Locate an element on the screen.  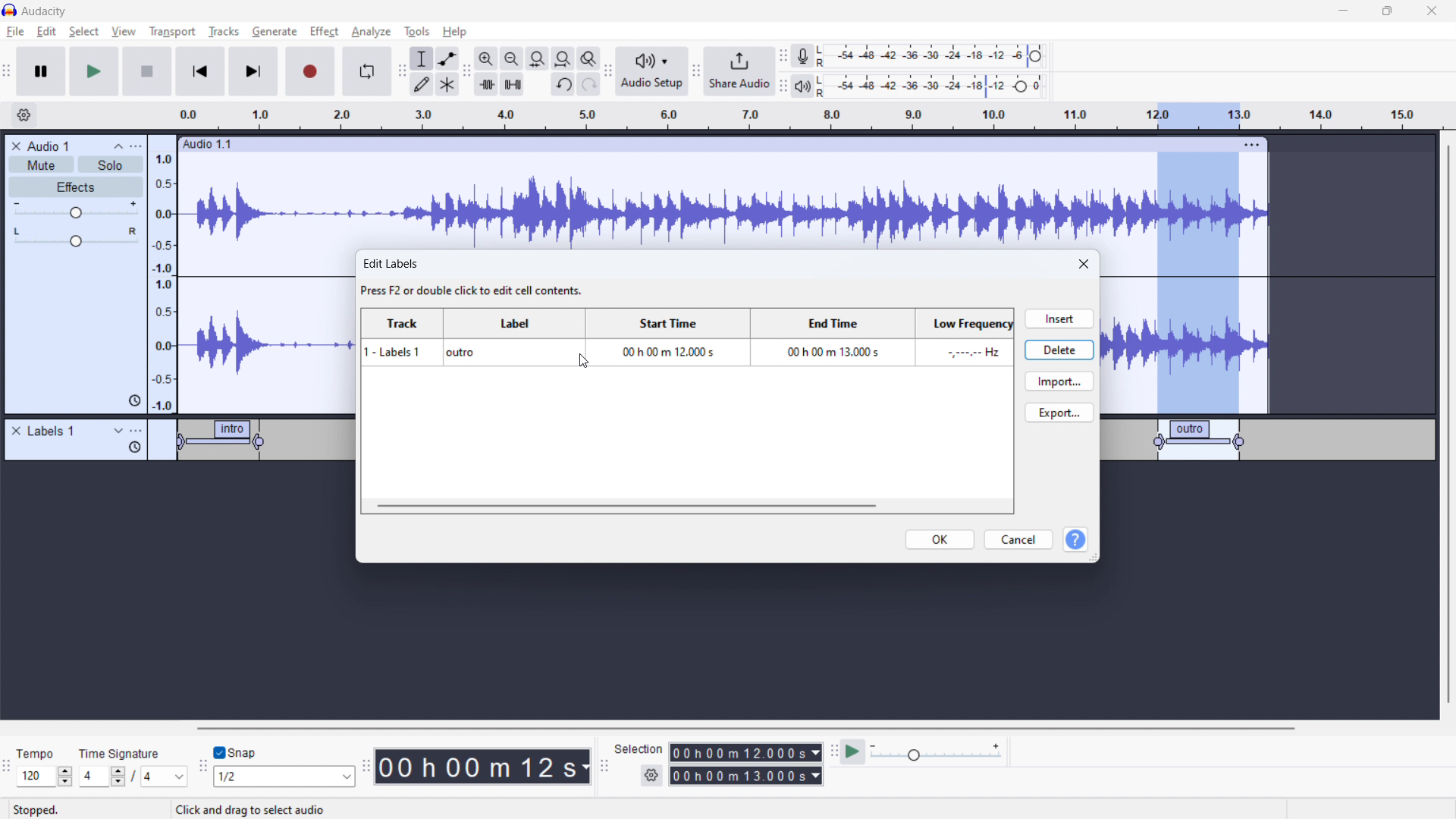
stop is located at coordinates (147, 71).